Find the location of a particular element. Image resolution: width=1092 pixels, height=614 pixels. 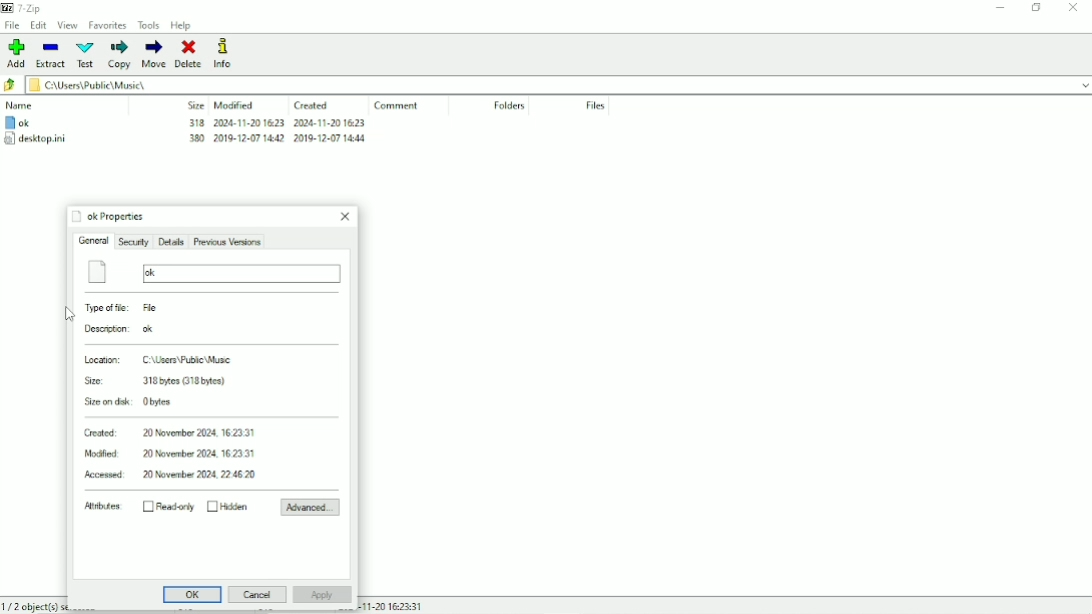

Restore down is located at coordinates (1037, 9).